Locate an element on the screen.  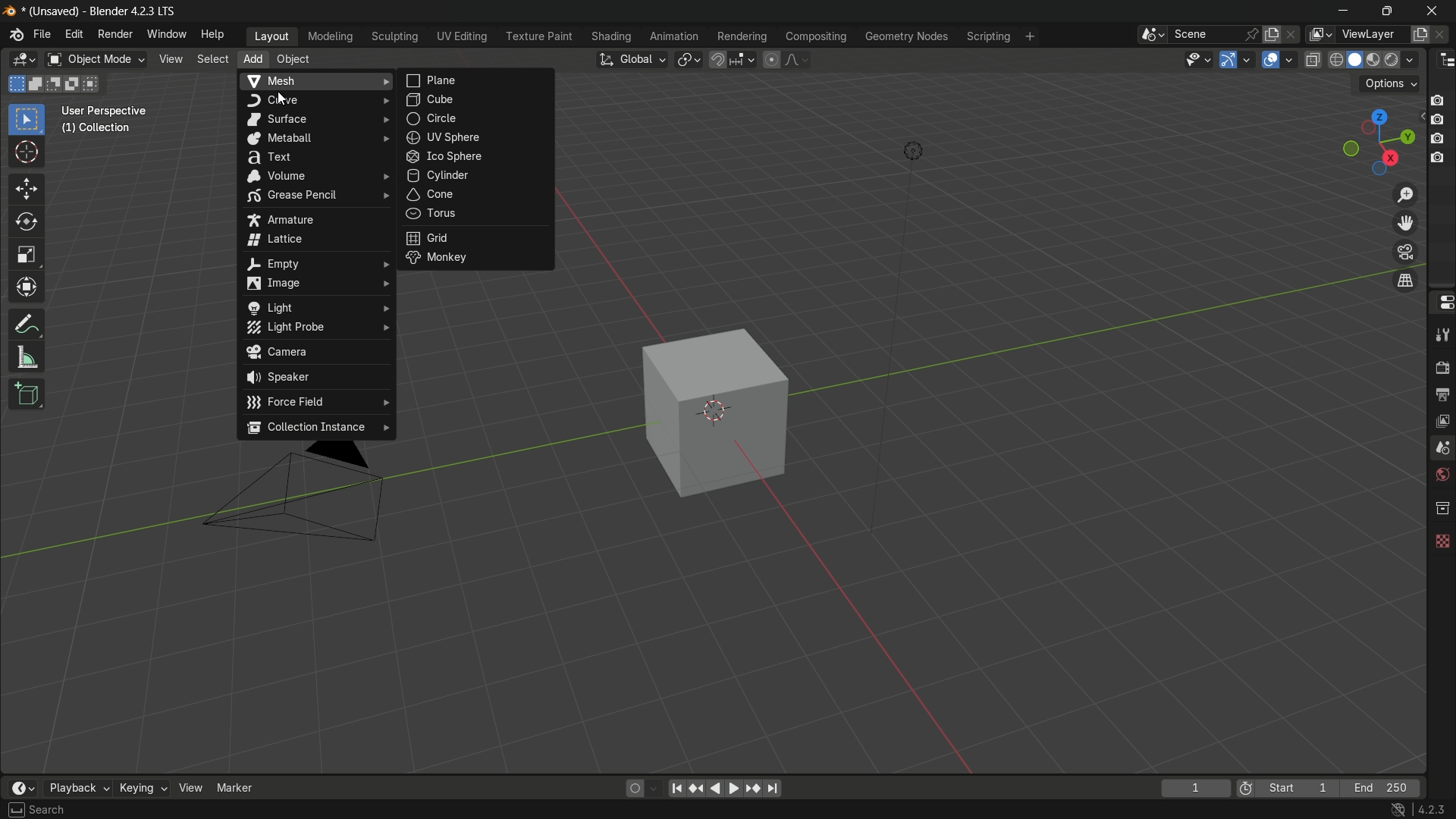
scene is located at coordinates (1441, 449).